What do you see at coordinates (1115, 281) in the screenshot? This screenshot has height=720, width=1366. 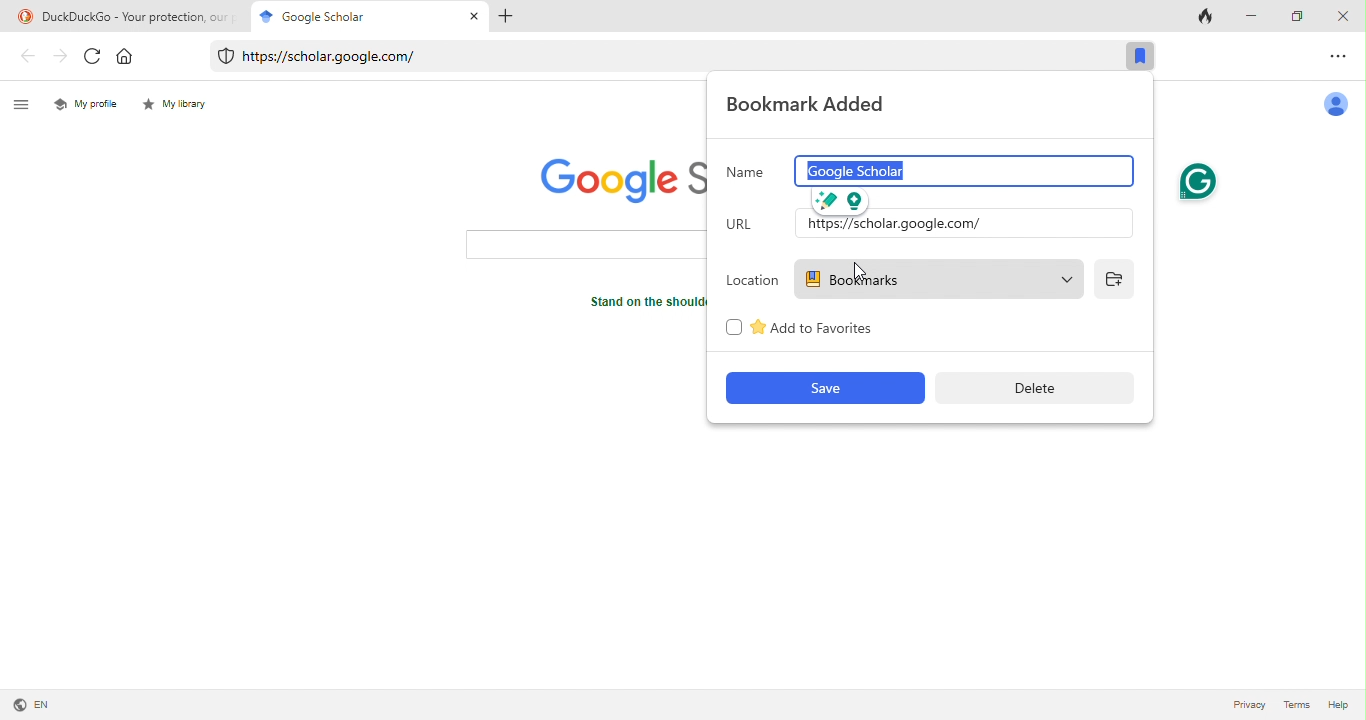 I see `add folder` at bounding box center [1115, 281].